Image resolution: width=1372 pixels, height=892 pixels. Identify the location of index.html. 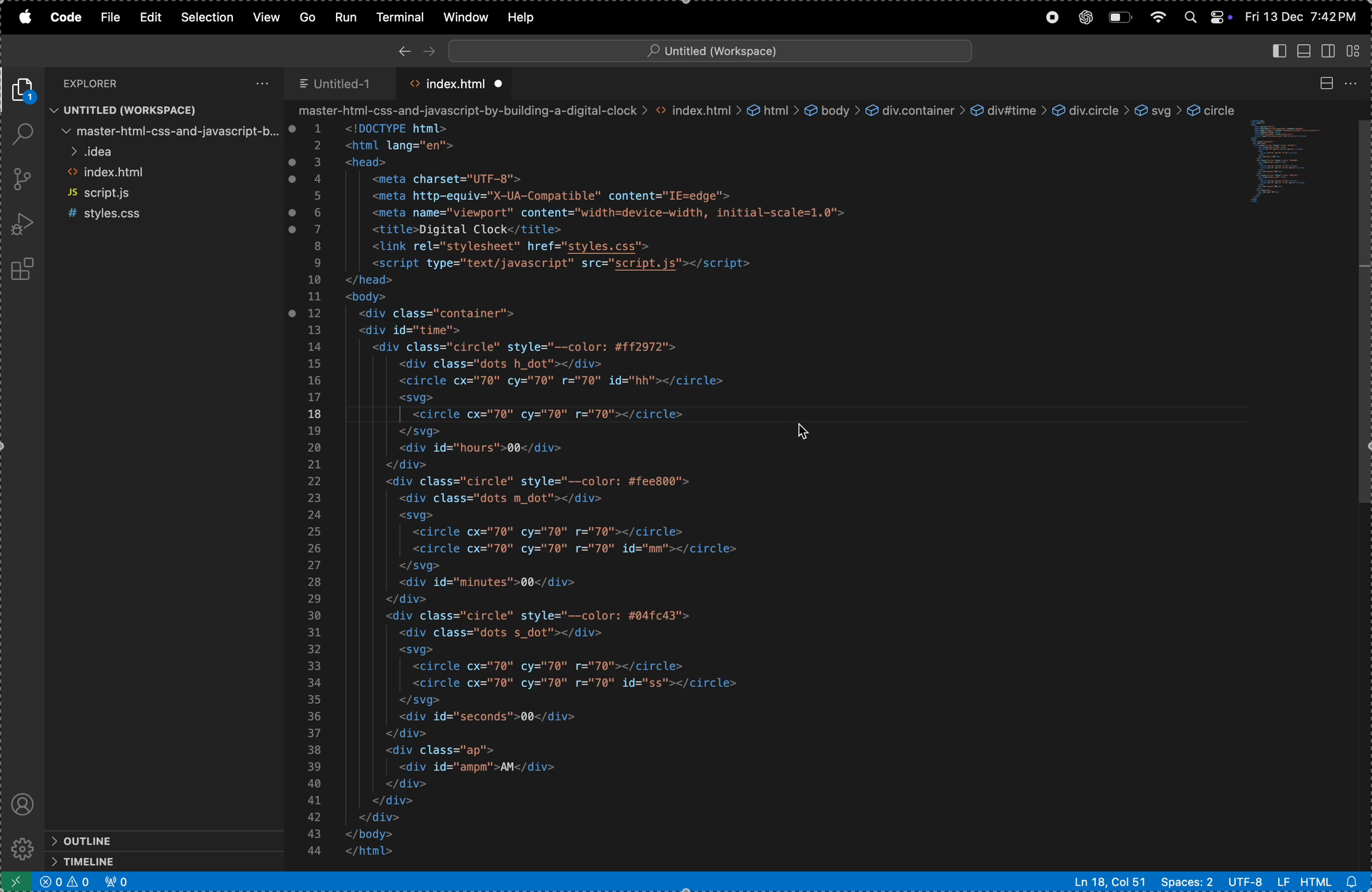
(164, 175).